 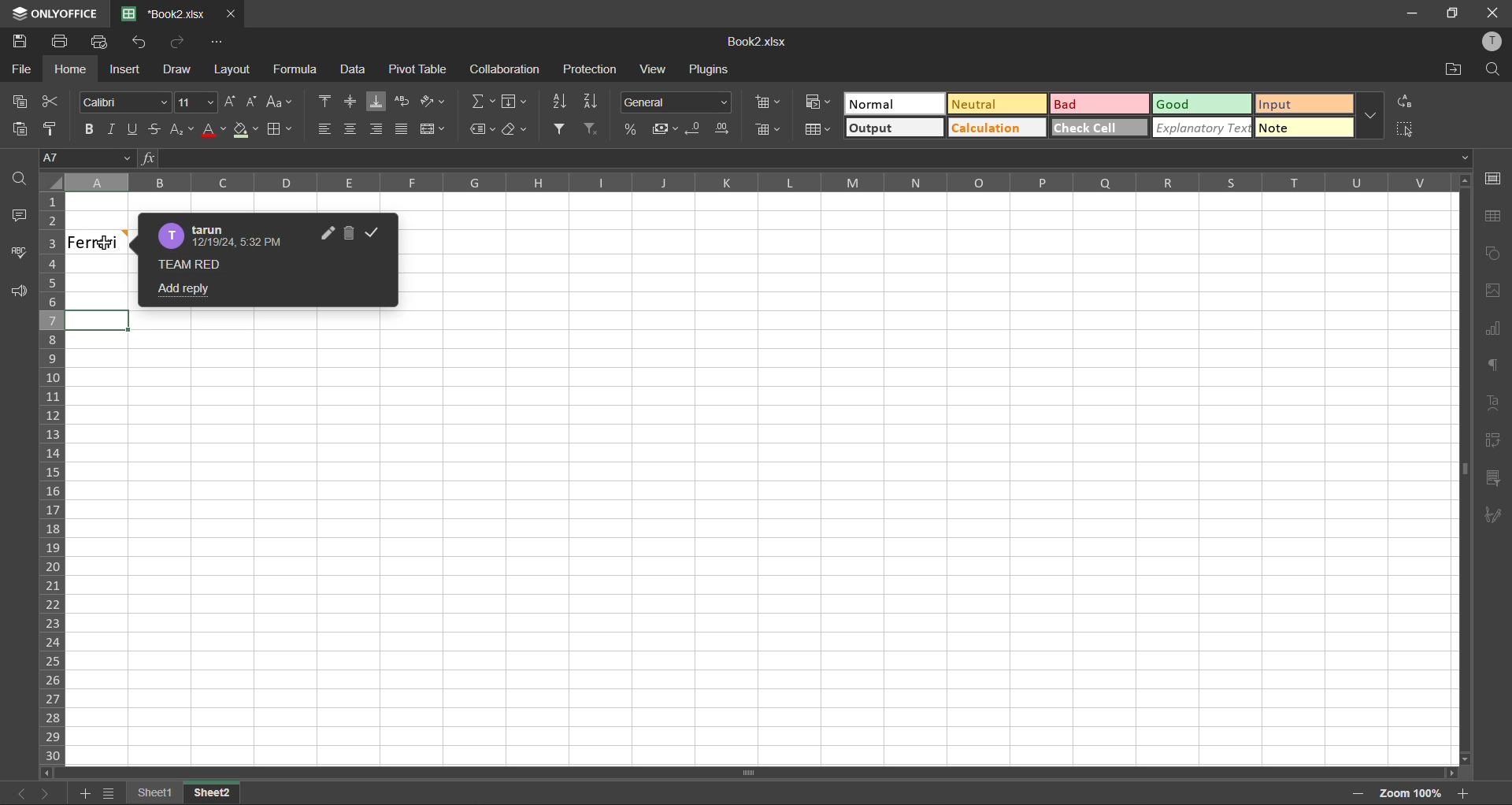 I want to click on Cursor, so click(x=105, y=243).